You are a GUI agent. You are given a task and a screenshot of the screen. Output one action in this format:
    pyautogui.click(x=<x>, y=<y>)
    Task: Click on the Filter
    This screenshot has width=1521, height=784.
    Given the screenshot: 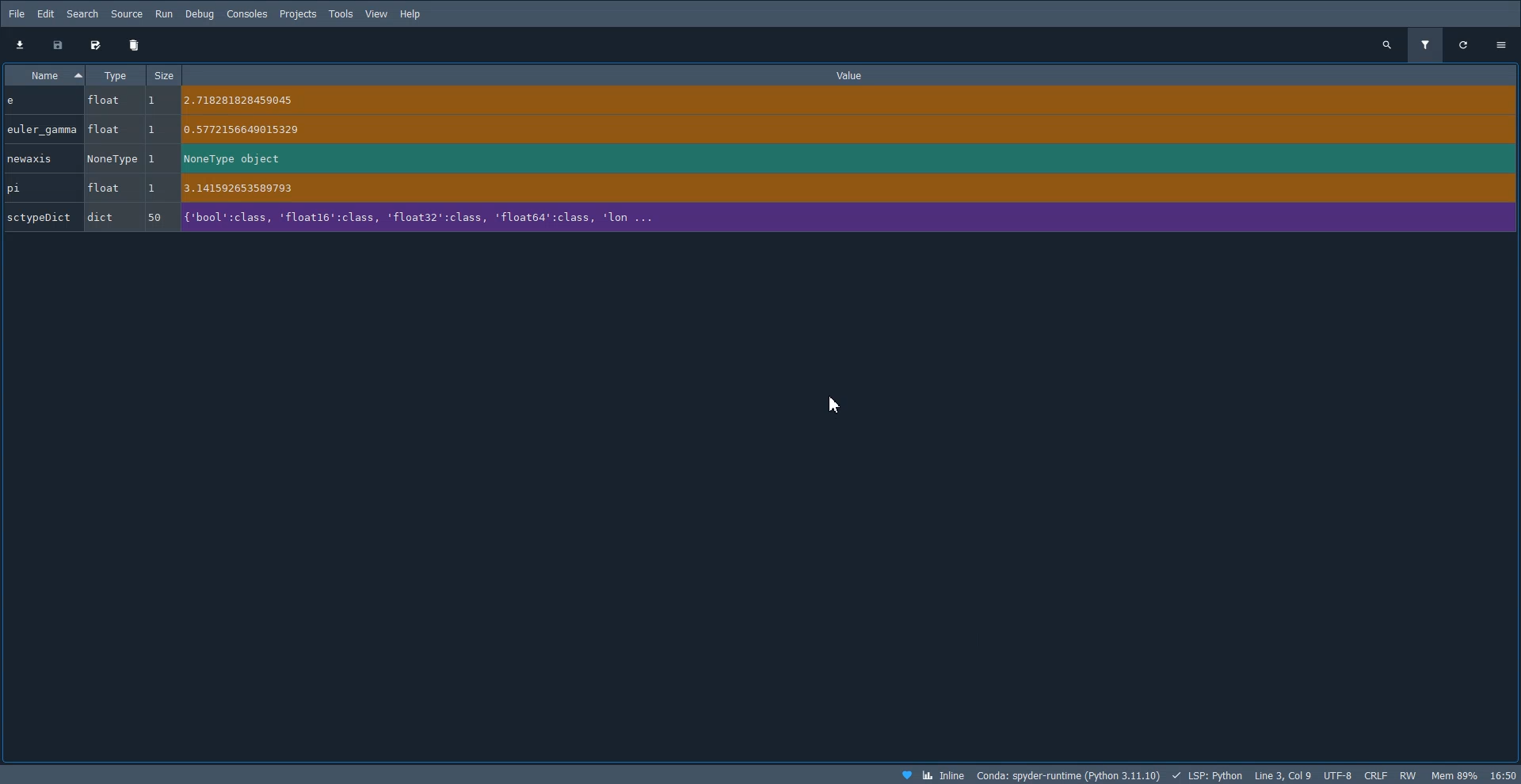 What is the action you would take?
    pyautogui.click(x=1427, y=44)
    